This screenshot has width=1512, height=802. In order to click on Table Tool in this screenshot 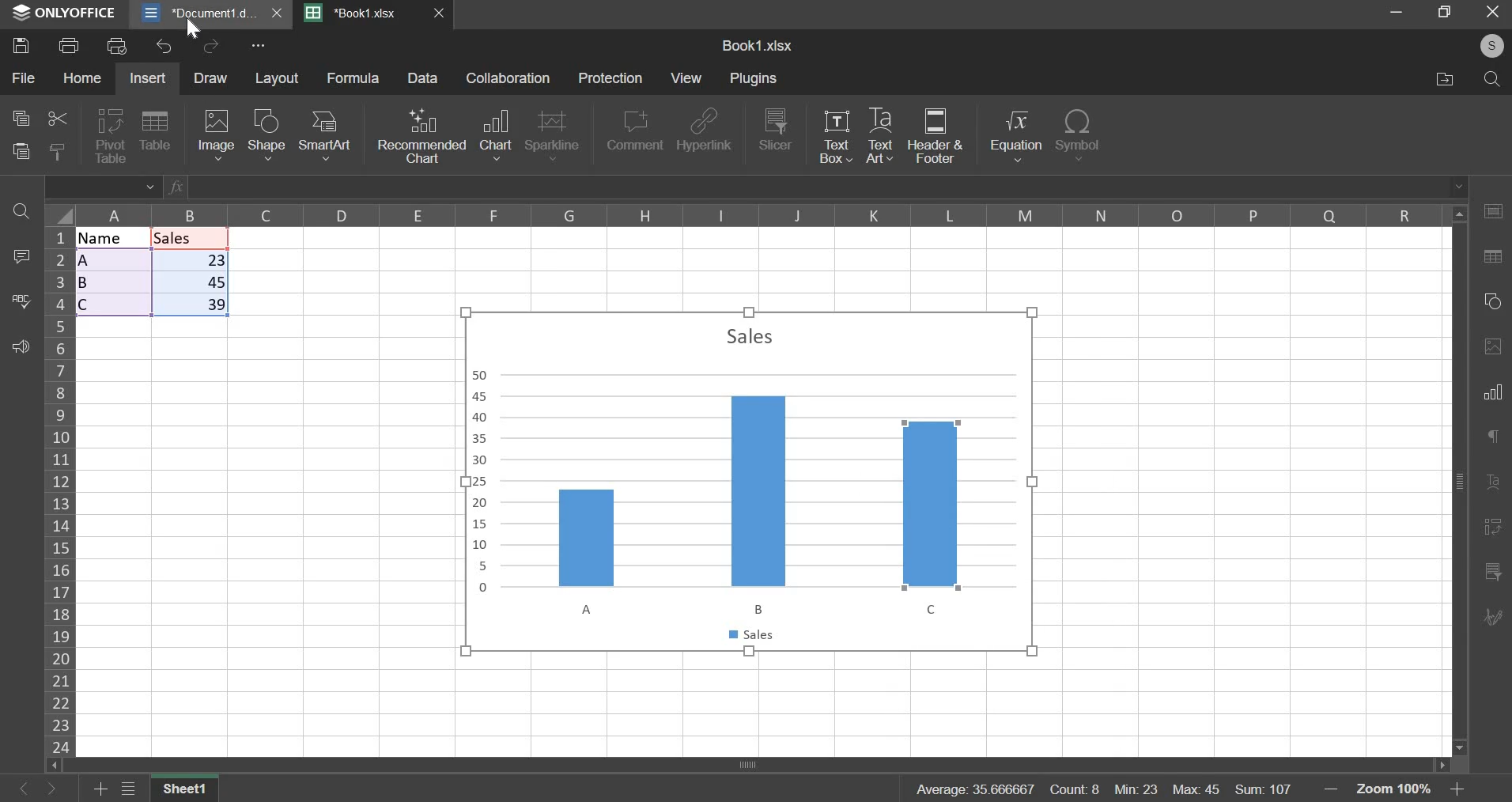, I will do `click(1492, 210)`.